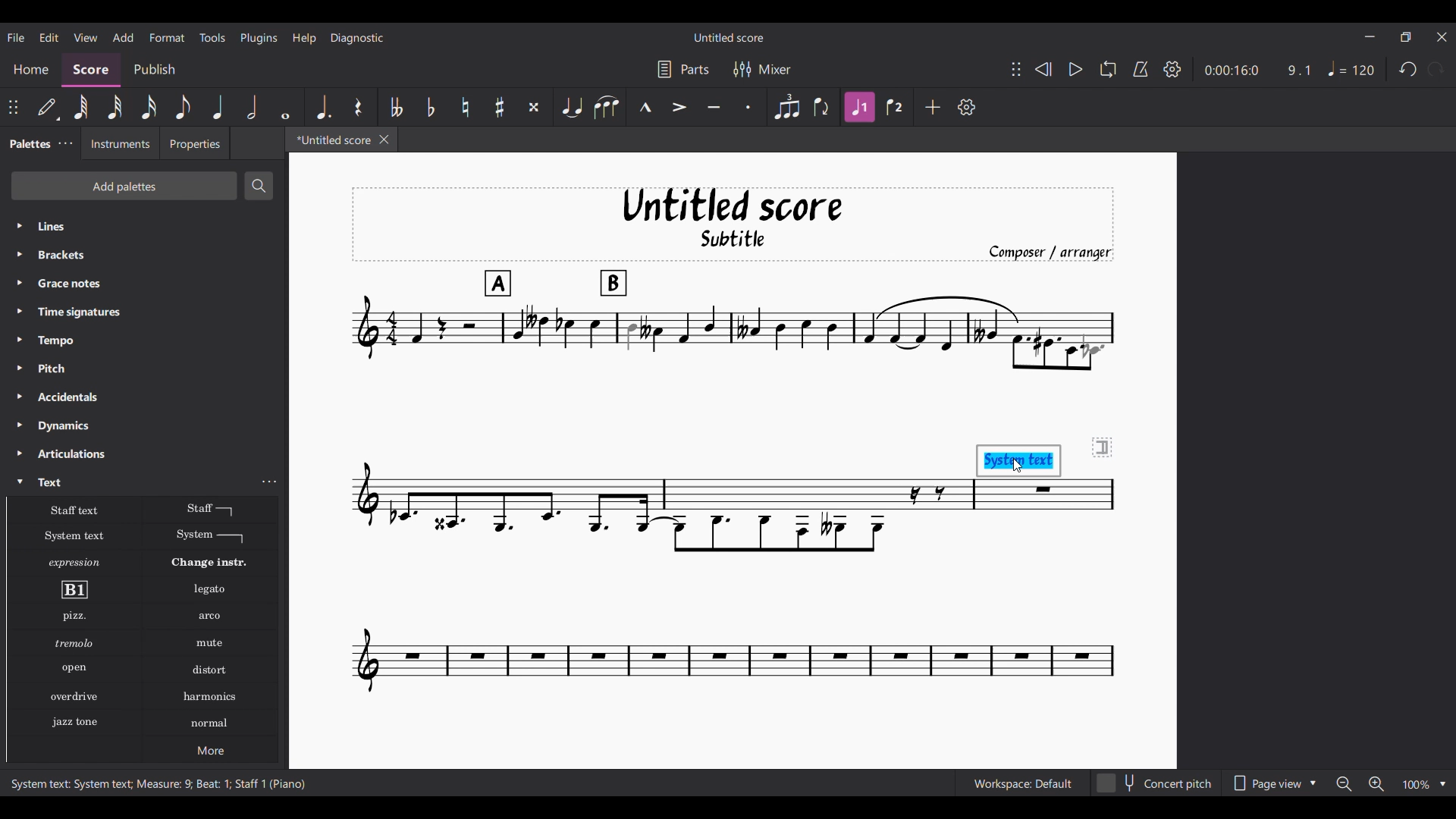 This screenshot has width=1456, height=819. What do you see at coordinates (30, 70) in the screenshot?
I see `Home section` at bounding box center [30, 70].